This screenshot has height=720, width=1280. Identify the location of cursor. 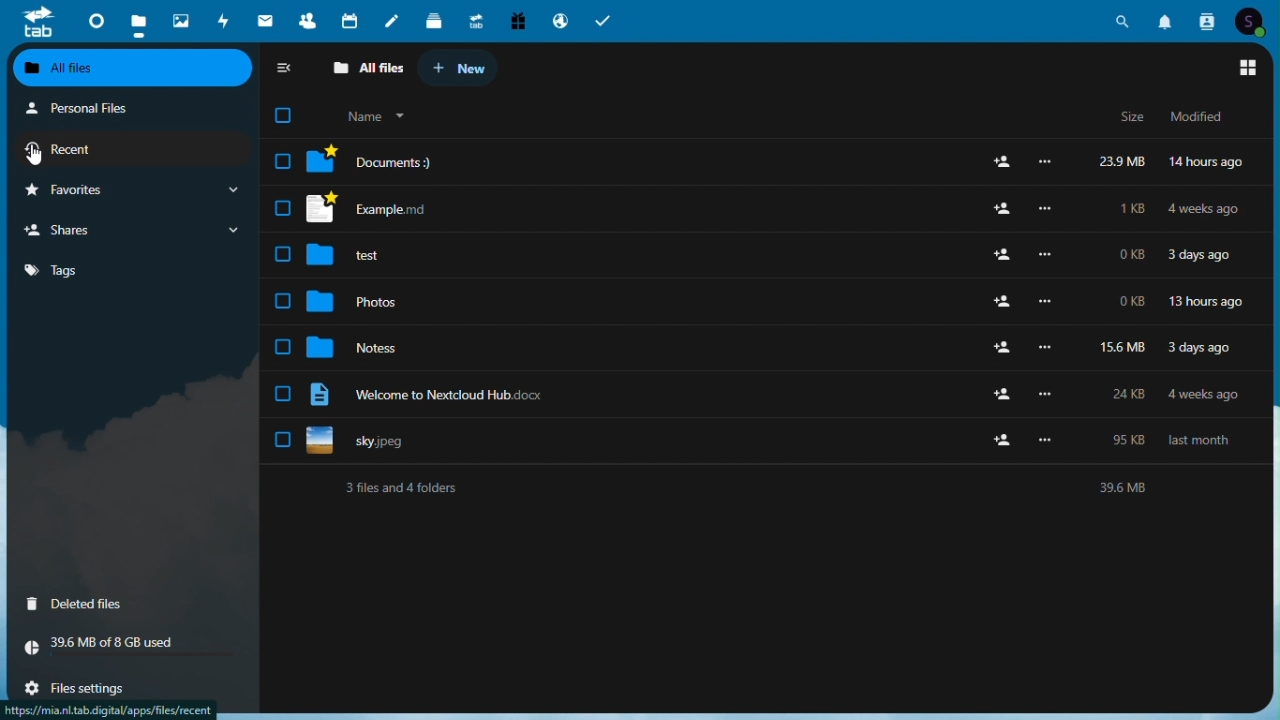
(36, 156).